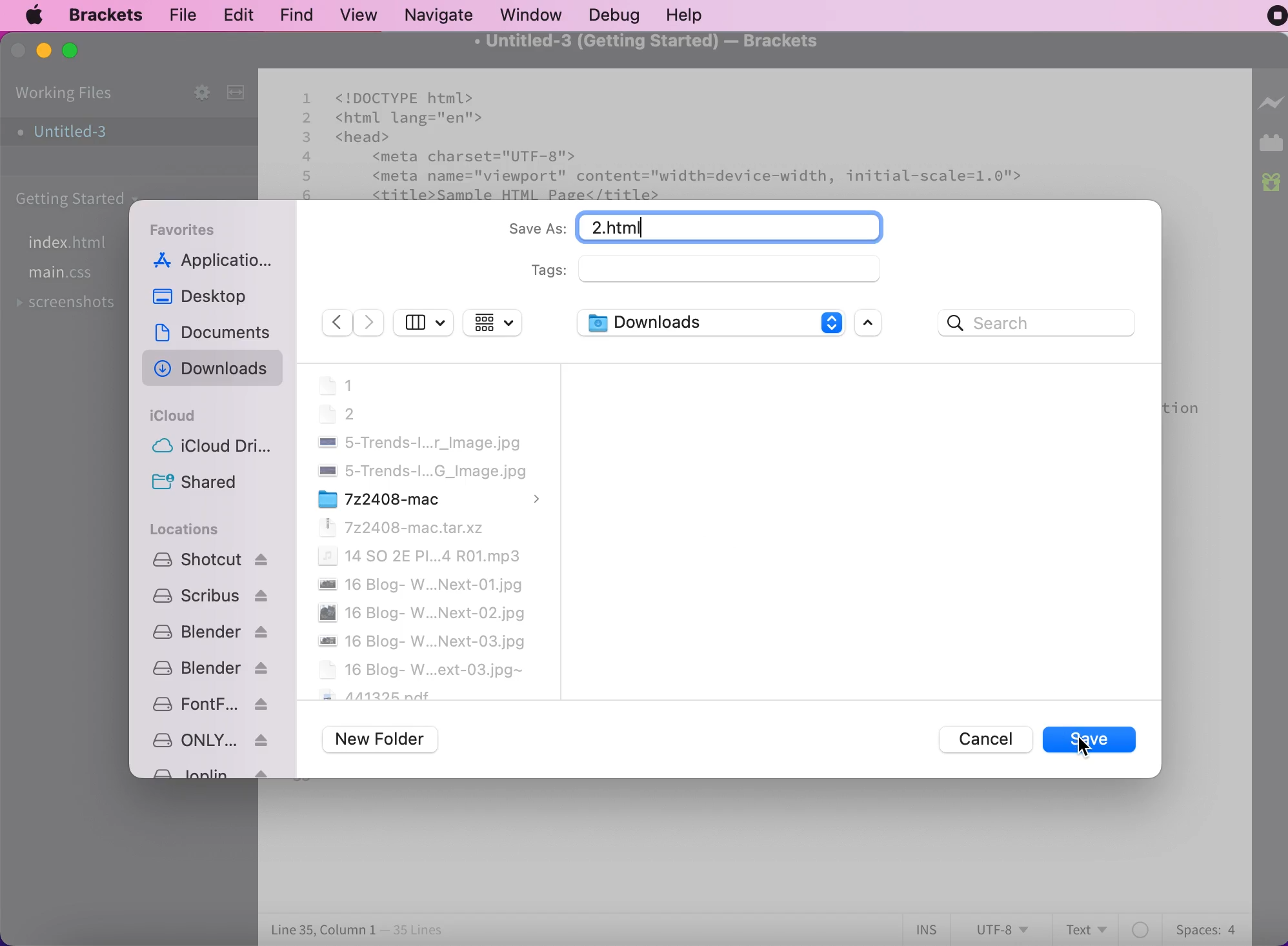 Image resolution: width=1288 pixels, height=946 pixels. Describe the element at coordinates (730, 228) in the screenshot. I see `2.html` at that location.